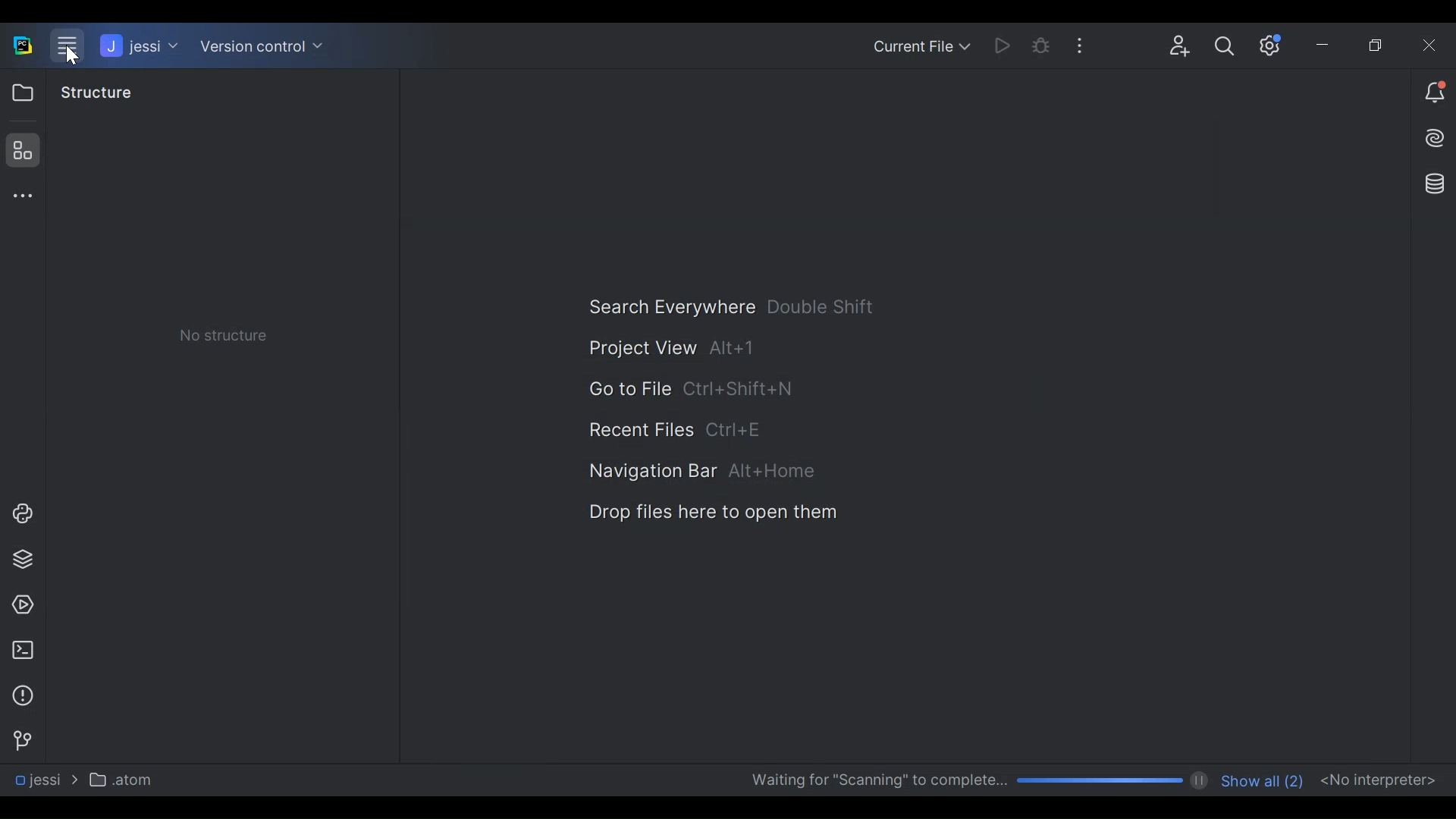  I want to click on Drop Files here, so click(682, 514).